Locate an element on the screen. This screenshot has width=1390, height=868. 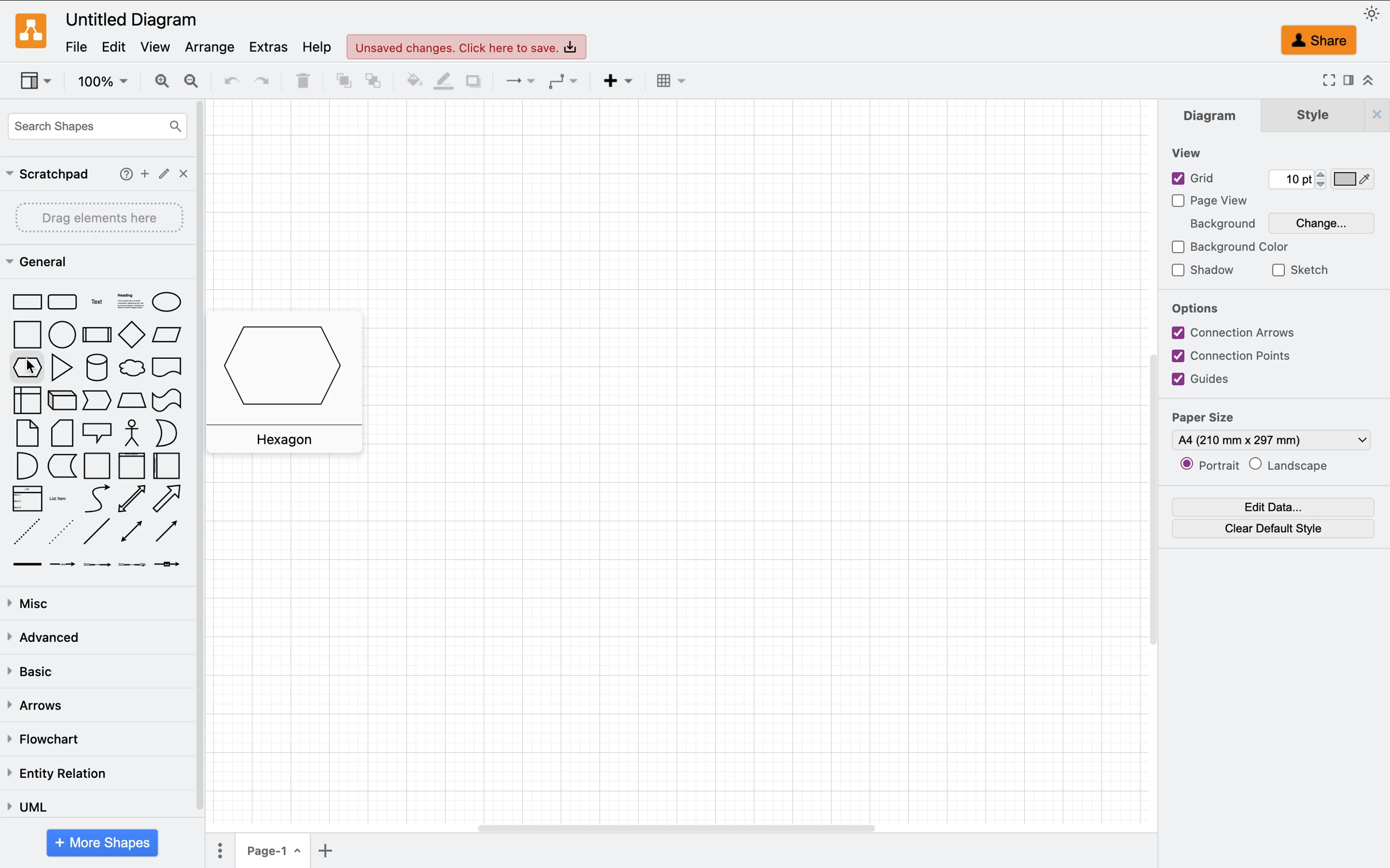
diagram is located at coordinates (1211, 114).